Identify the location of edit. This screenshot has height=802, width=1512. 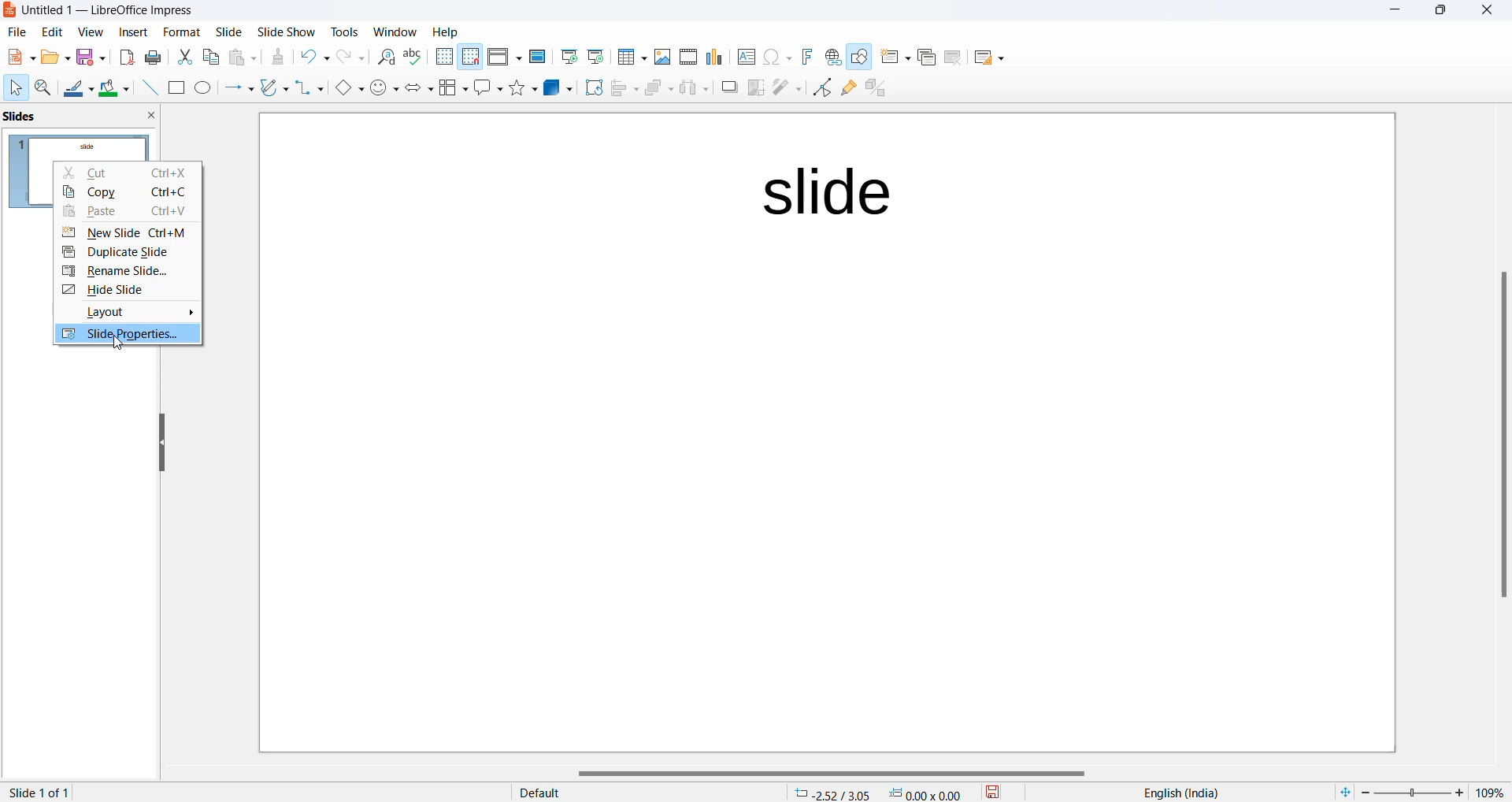
(54, 32).